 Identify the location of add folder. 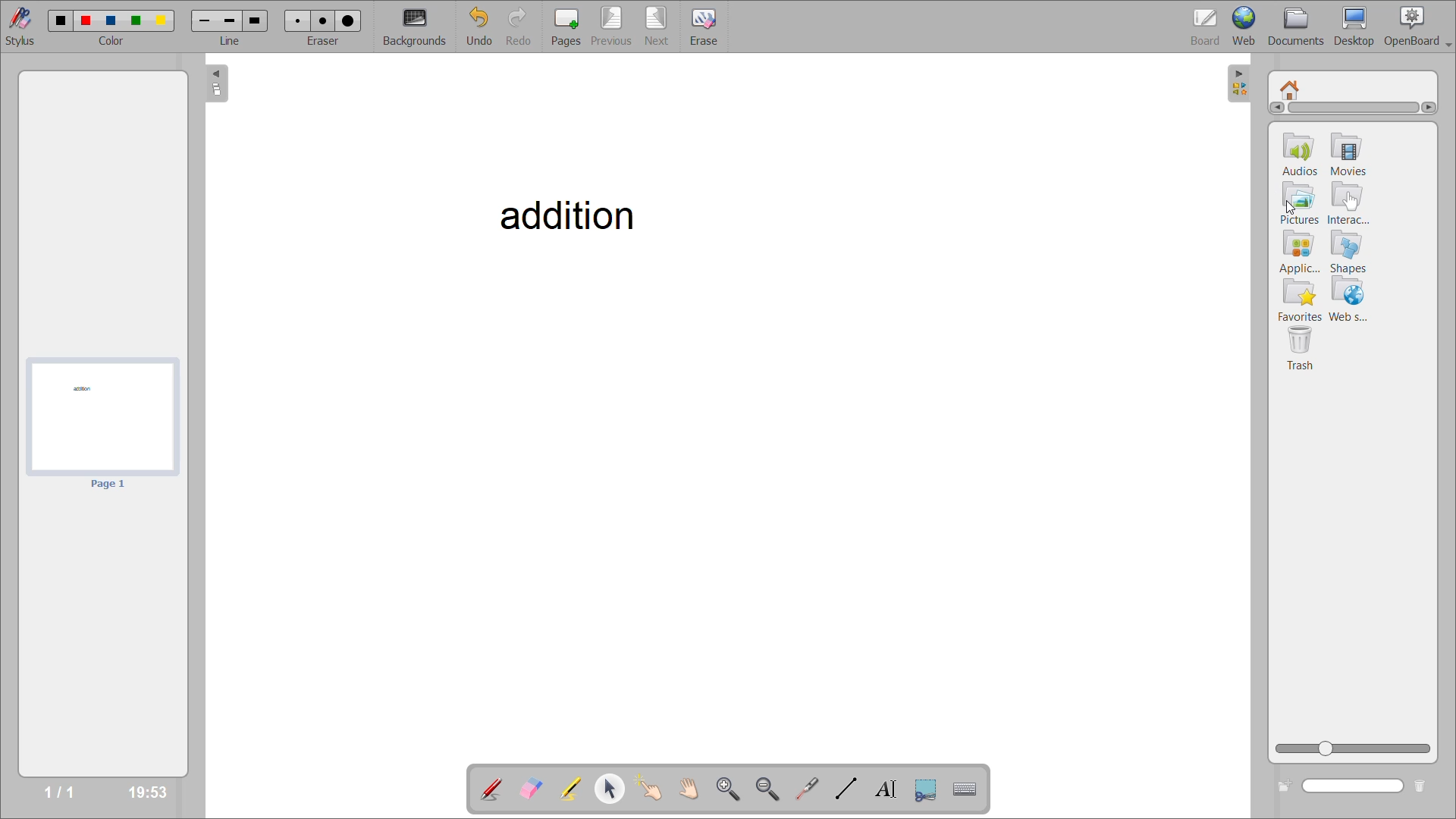
(1281, 787).